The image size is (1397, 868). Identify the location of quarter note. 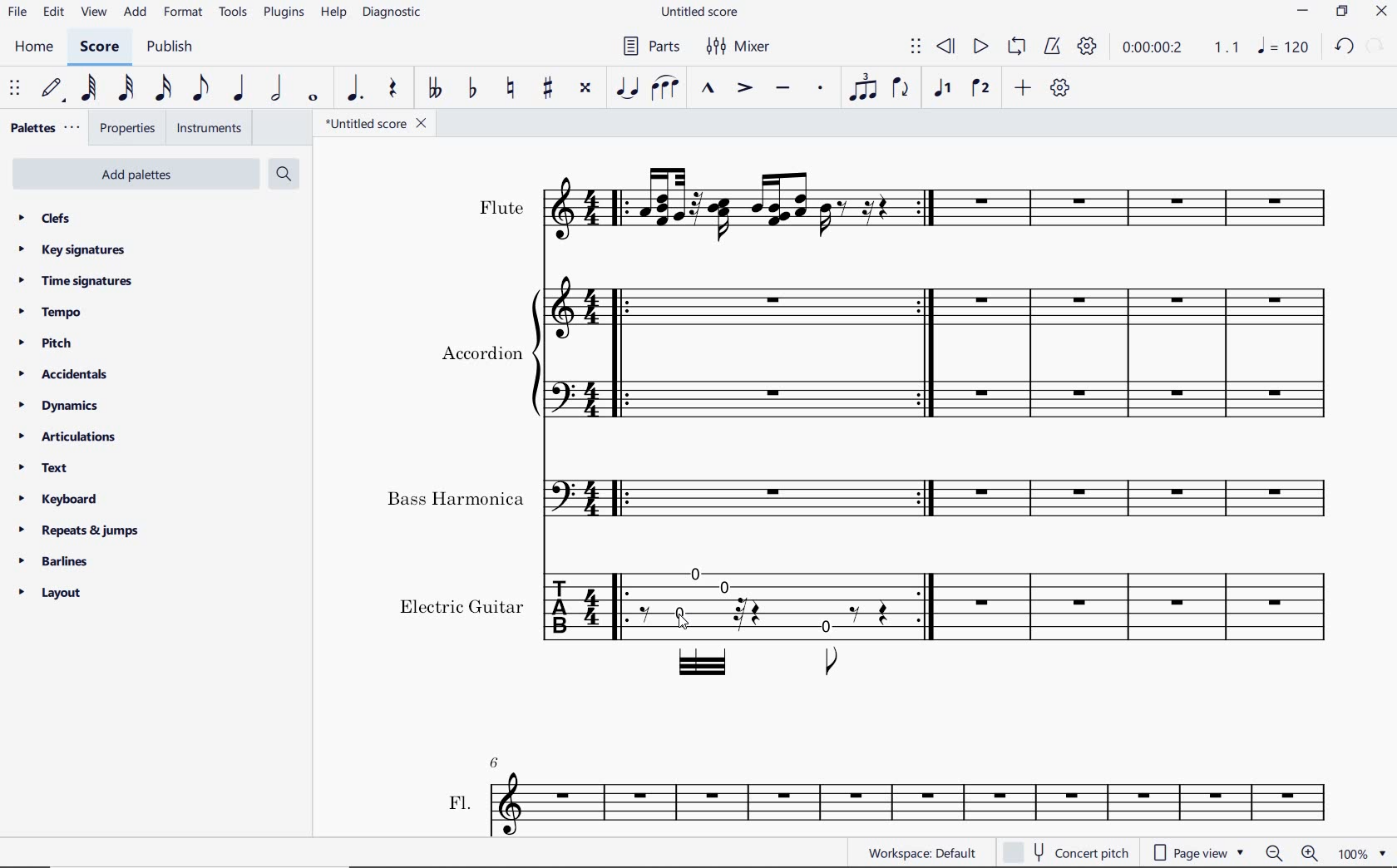
(239, 89).